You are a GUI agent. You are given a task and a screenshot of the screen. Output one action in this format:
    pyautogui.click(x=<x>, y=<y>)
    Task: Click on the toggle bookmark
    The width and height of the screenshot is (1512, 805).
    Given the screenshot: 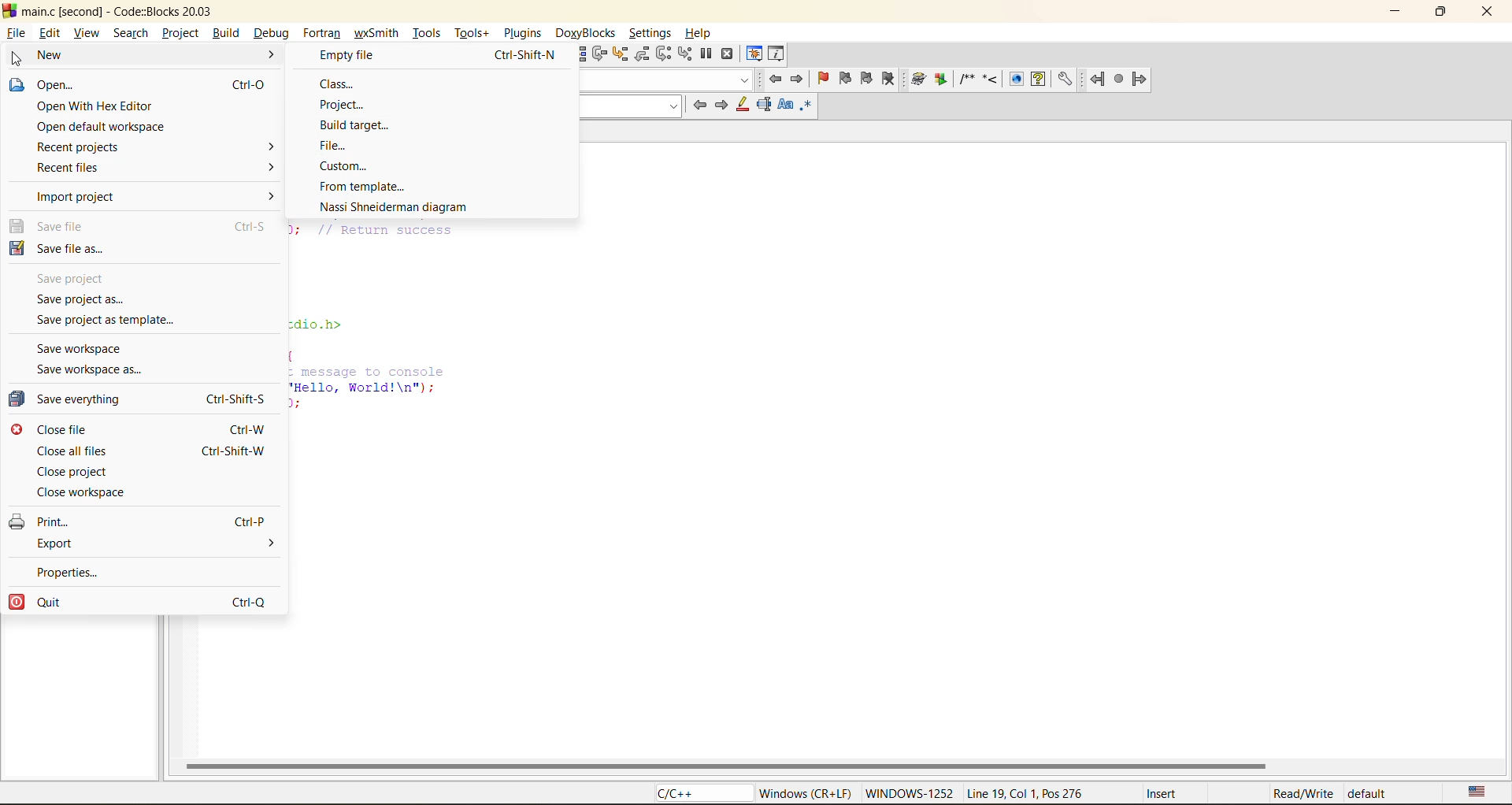 What is the action you would take?
    pyautogui.click(x=823, y=78)
    